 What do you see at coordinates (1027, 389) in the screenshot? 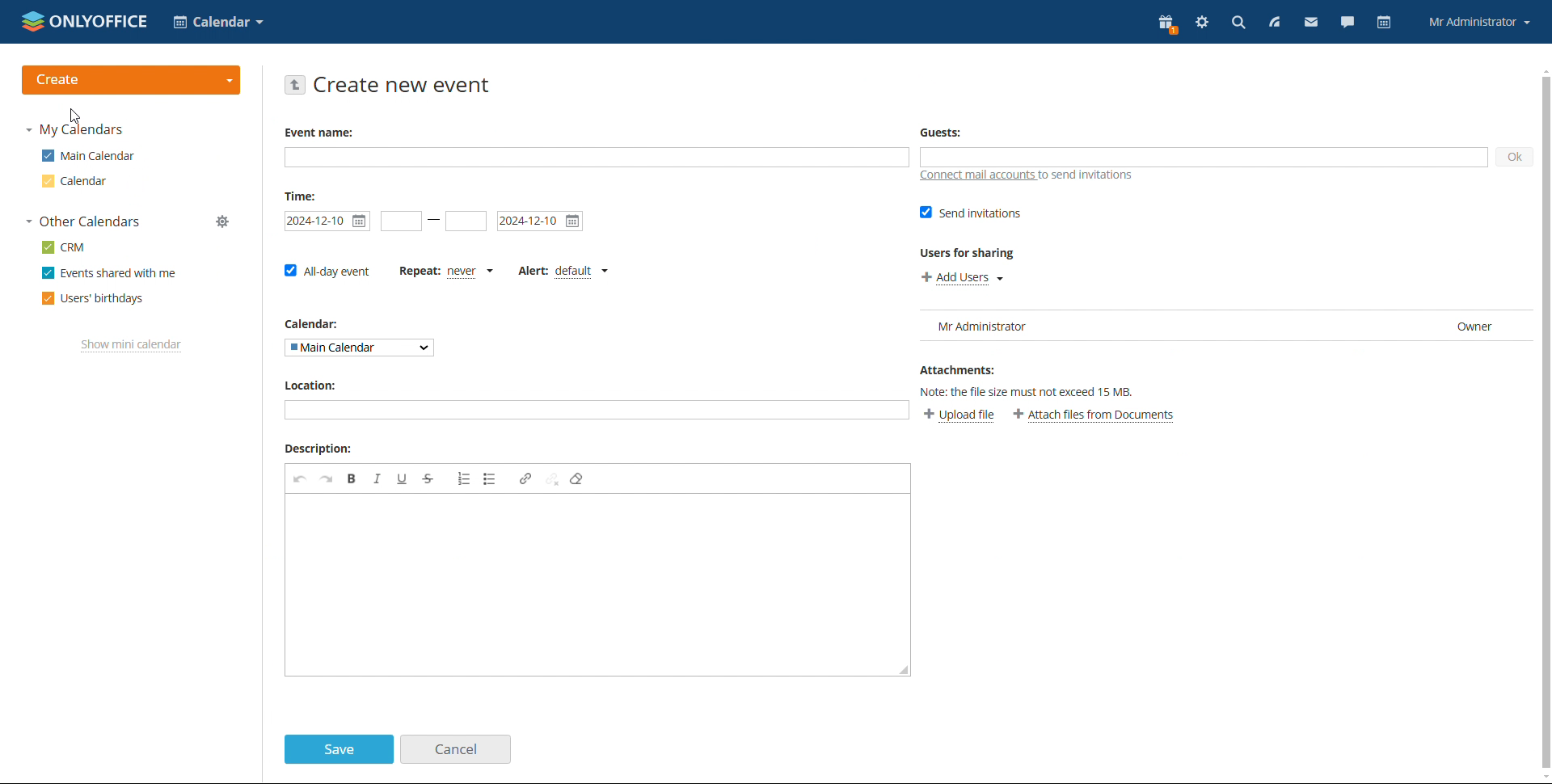
I see `` at bounding box center [1027, 389].